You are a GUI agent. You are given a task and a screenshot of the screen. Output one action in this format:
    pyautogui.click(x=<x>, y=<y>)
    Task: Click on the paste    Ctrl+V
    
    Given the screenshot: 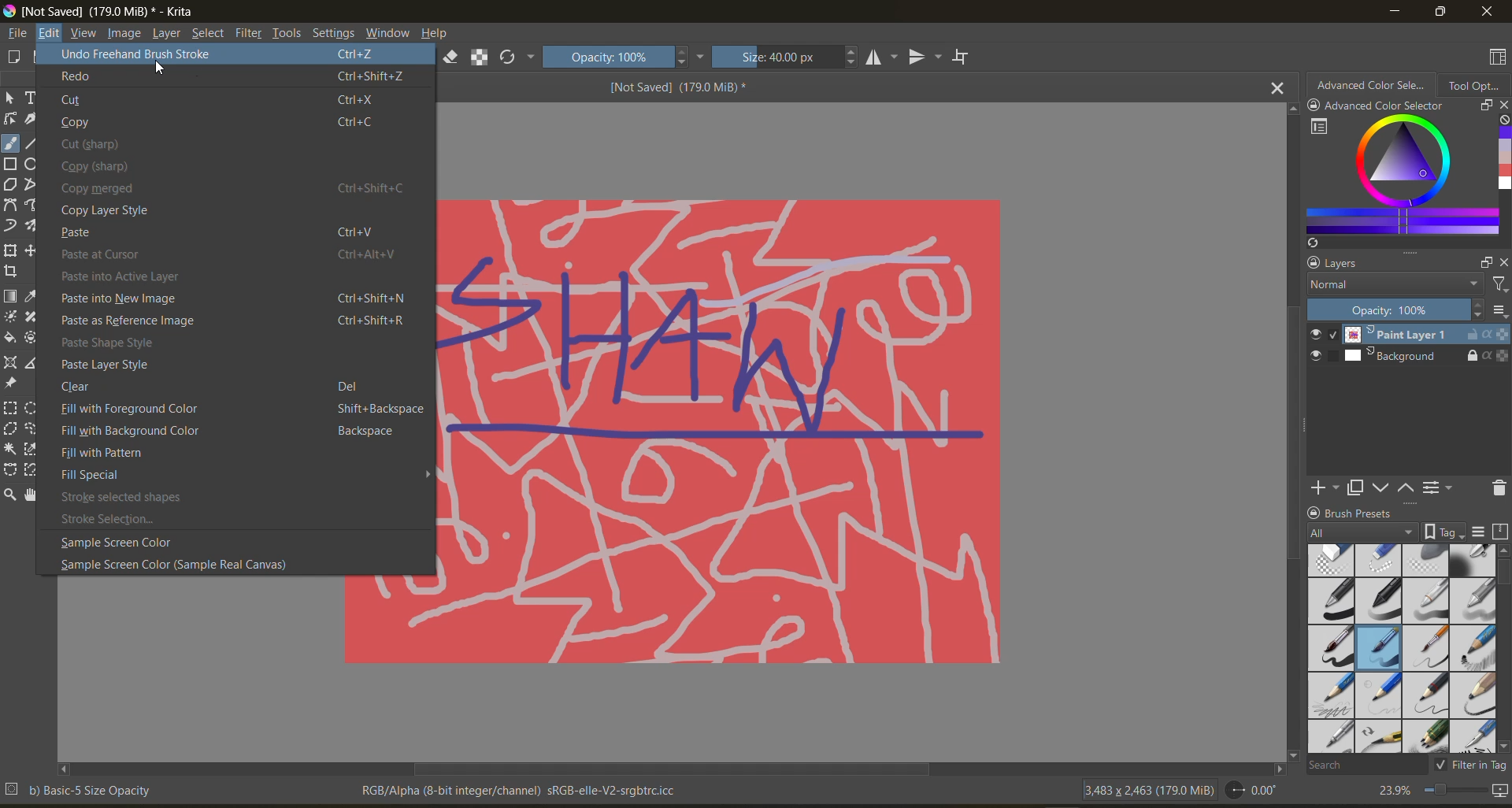 What is the action you would take?
    pyautogui.click(x=223, y=234)
    